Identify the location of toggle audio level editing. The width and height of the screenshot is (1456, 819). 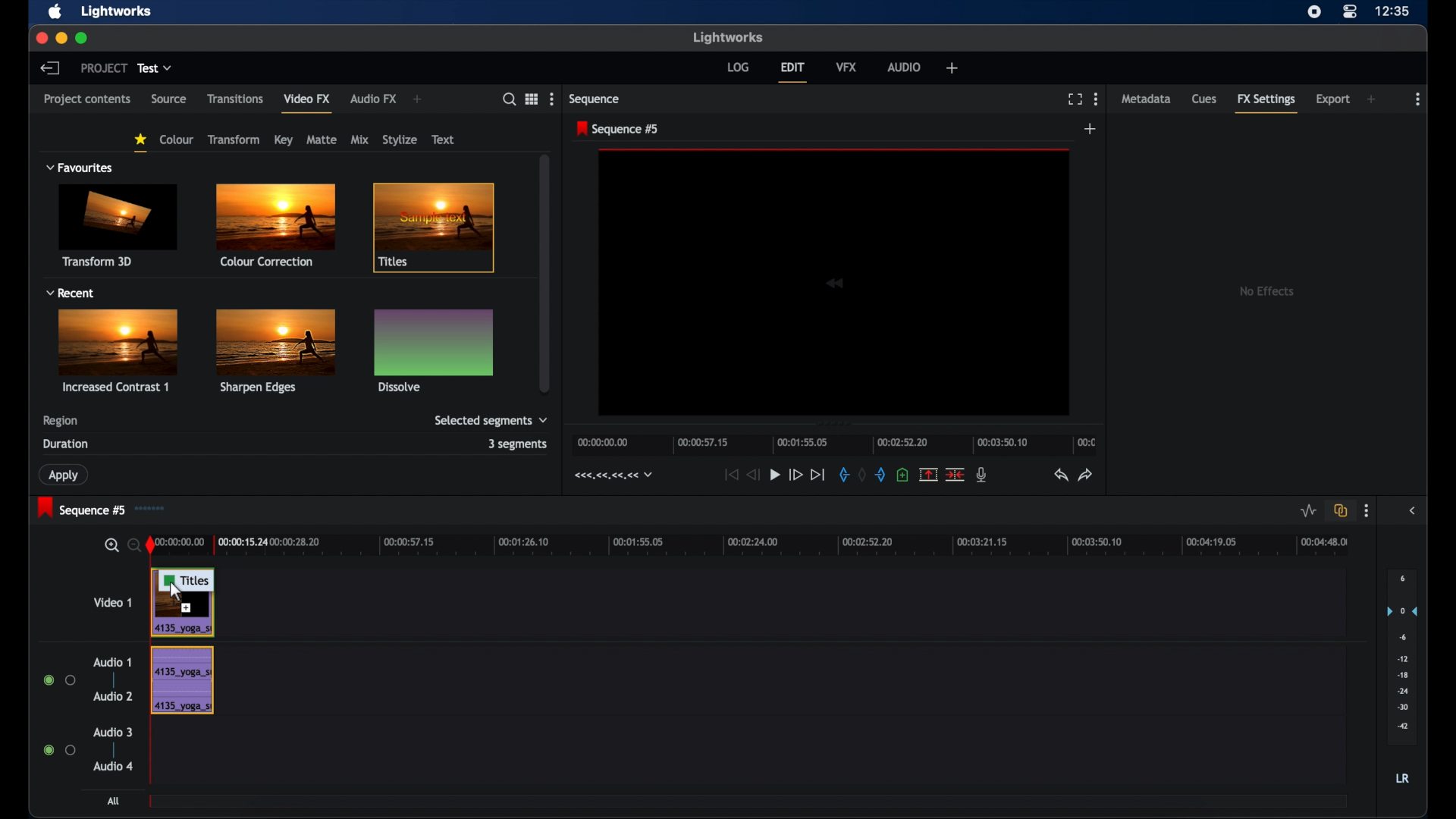
(1306, 511).